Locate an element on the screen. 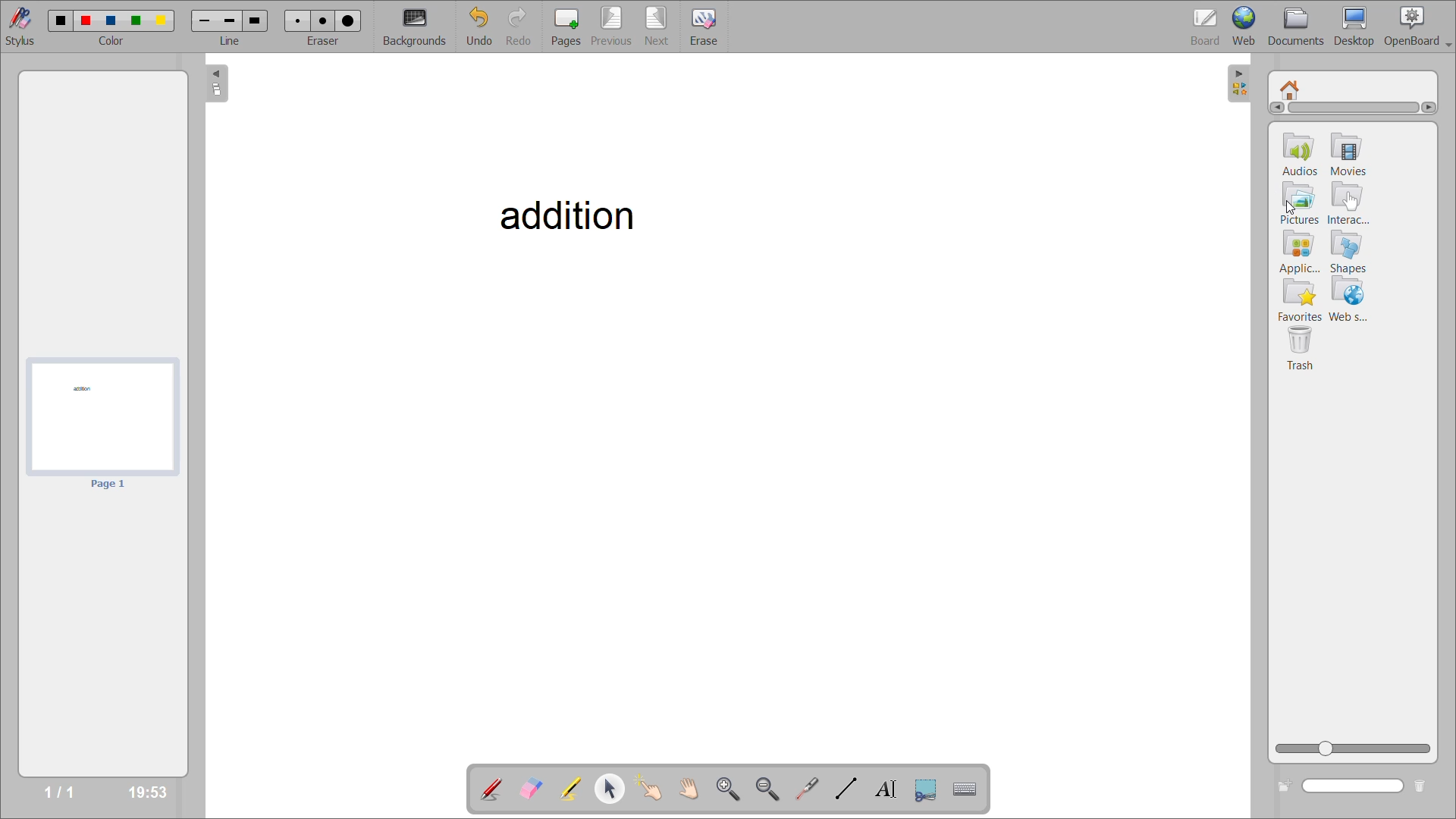  page no/total pages is located at coordinates (59, 790).